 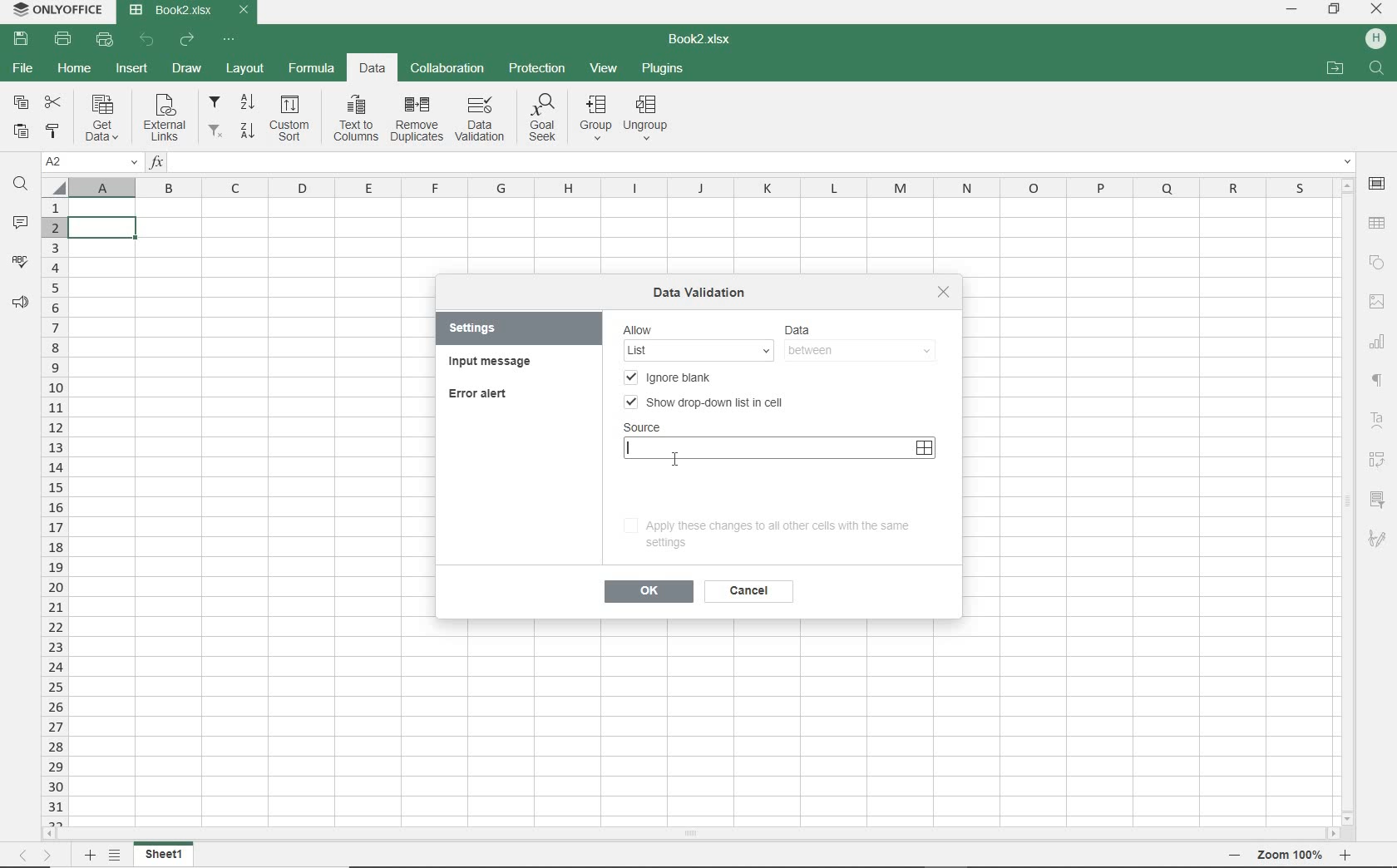 What do you see at coordinates (1375, 10) in the screenshot?
I see `CLOSE` at bounding box center [1375, 10].